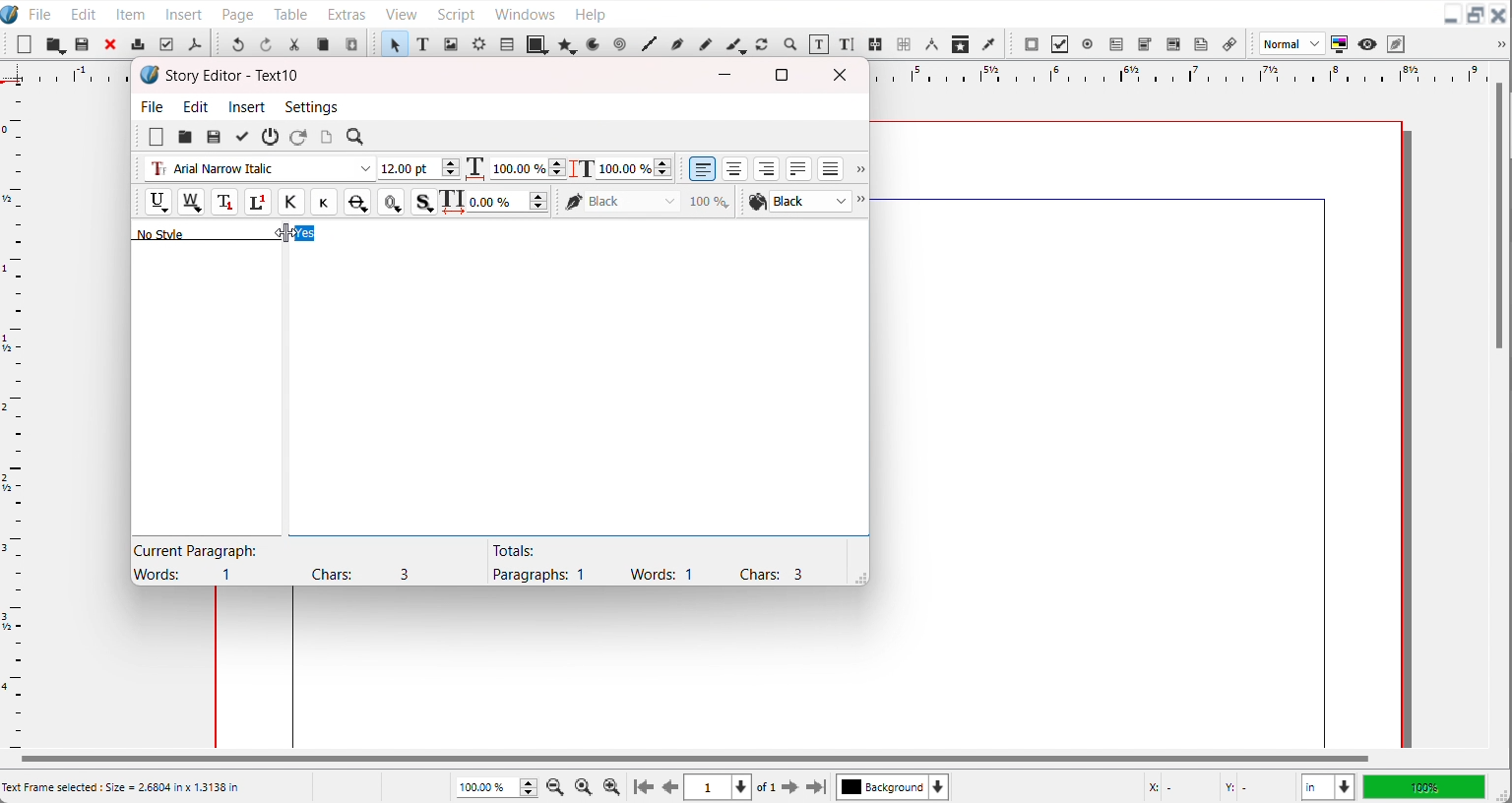 This screenshot has height=803, width=1512. Describe the element at coordinates (185, 13) in the screenshot. I see `Insert` at that location.